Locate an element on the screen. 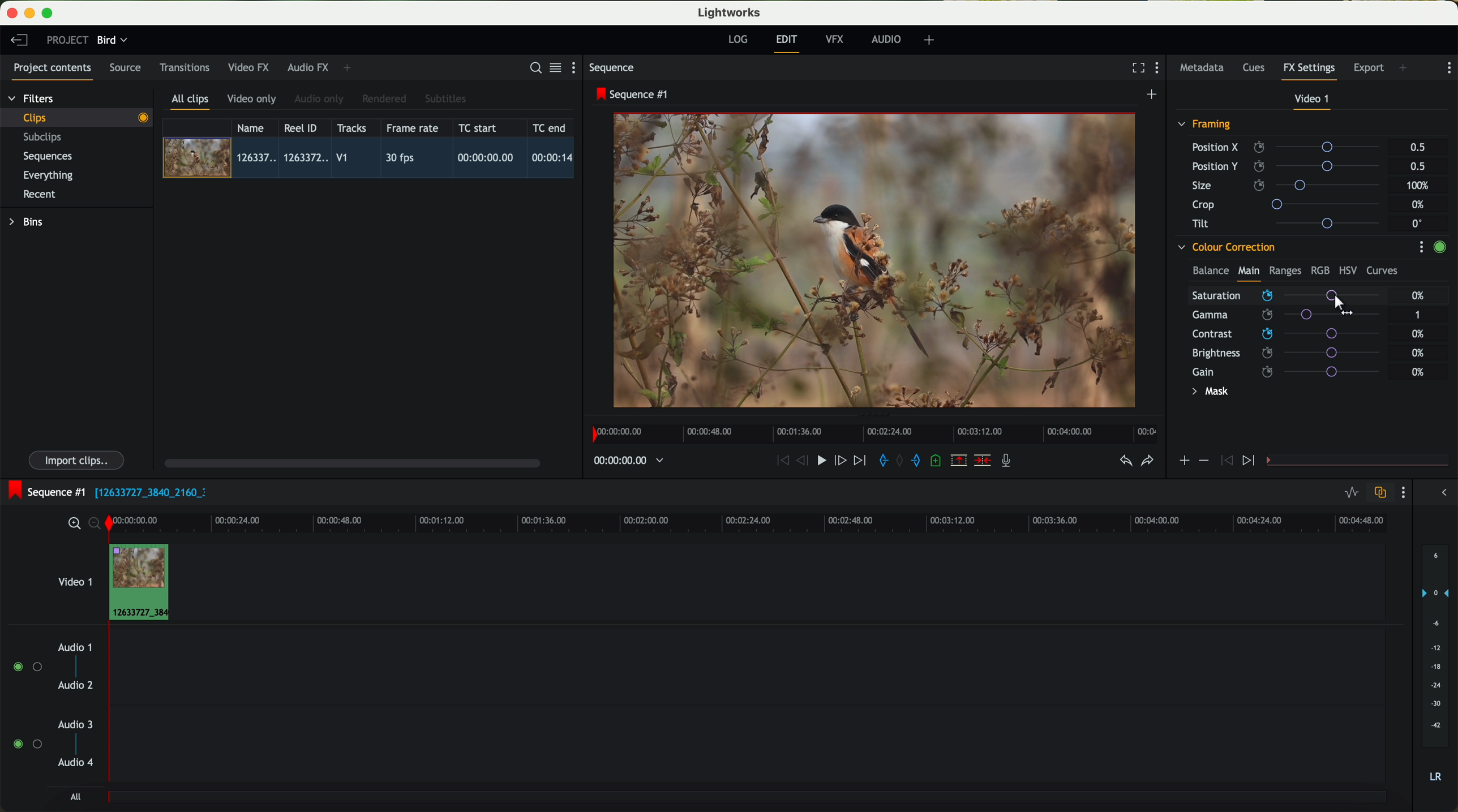 The image size is (1458, 812). crop is located at coordinates (1290, 204).